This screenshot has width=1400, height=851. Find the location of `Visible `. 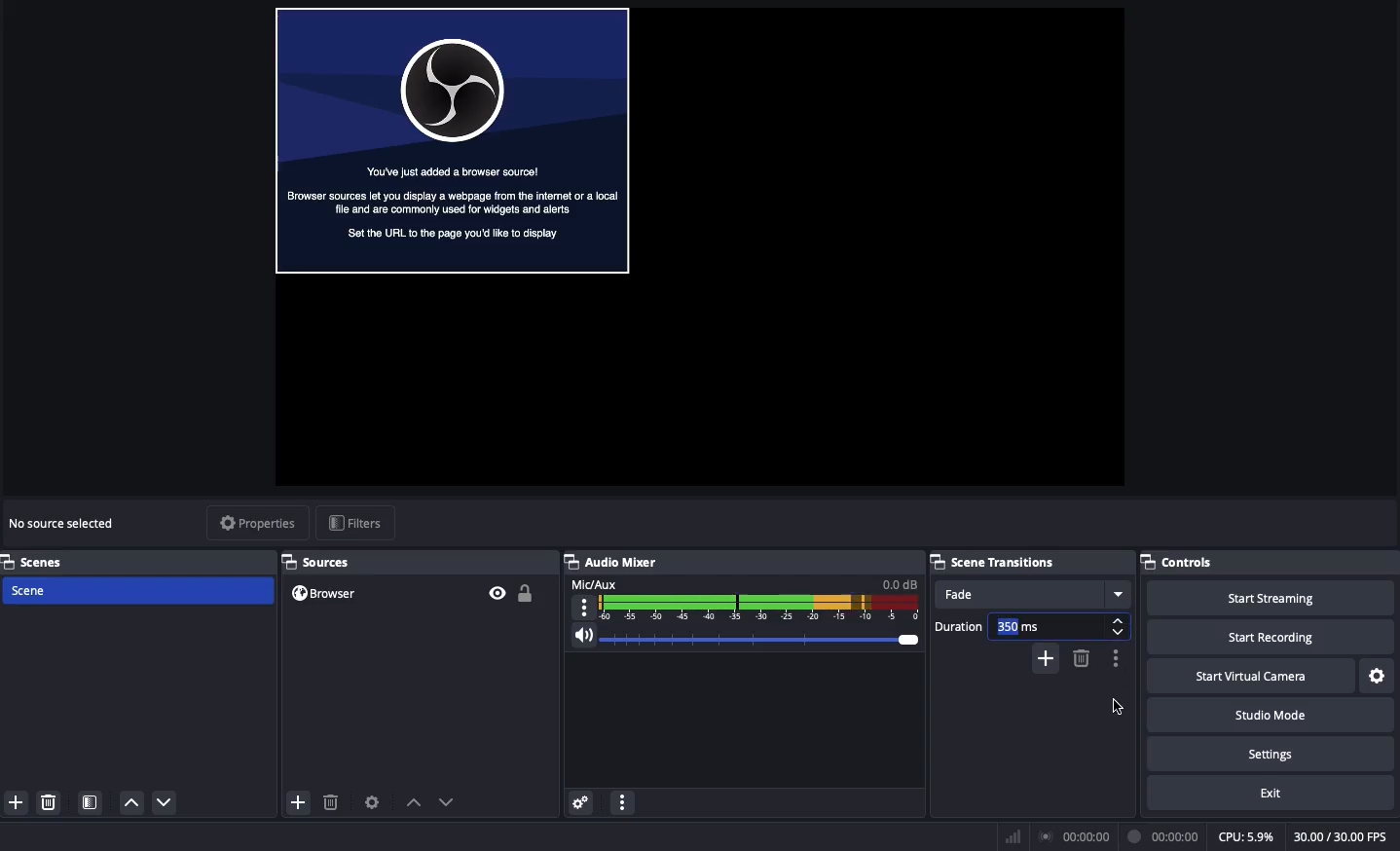

Visible  is located at coordinates (497, 593).